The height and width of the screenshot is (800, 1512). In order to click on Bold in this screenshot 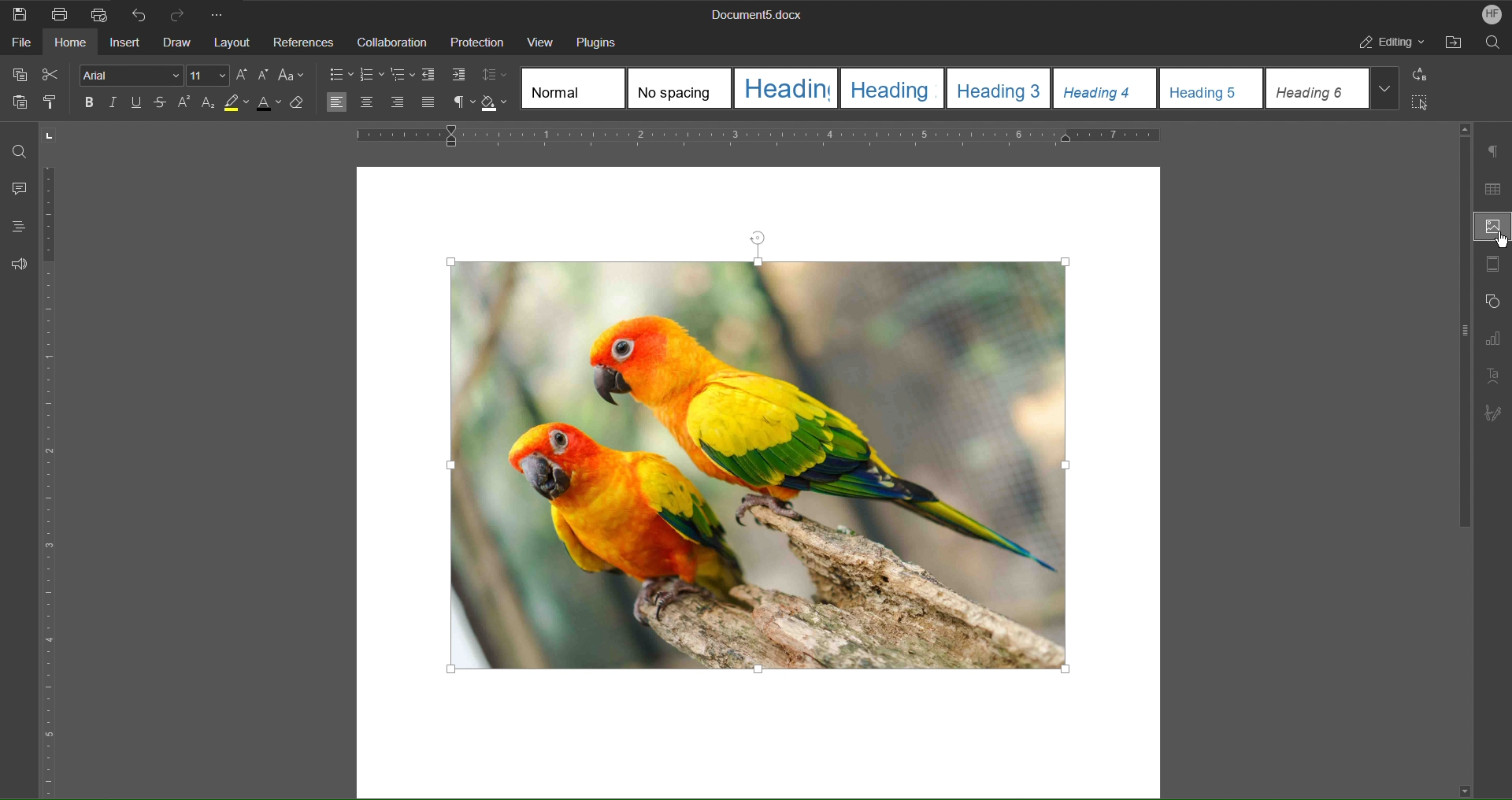, I will do `click(87, 102)`.